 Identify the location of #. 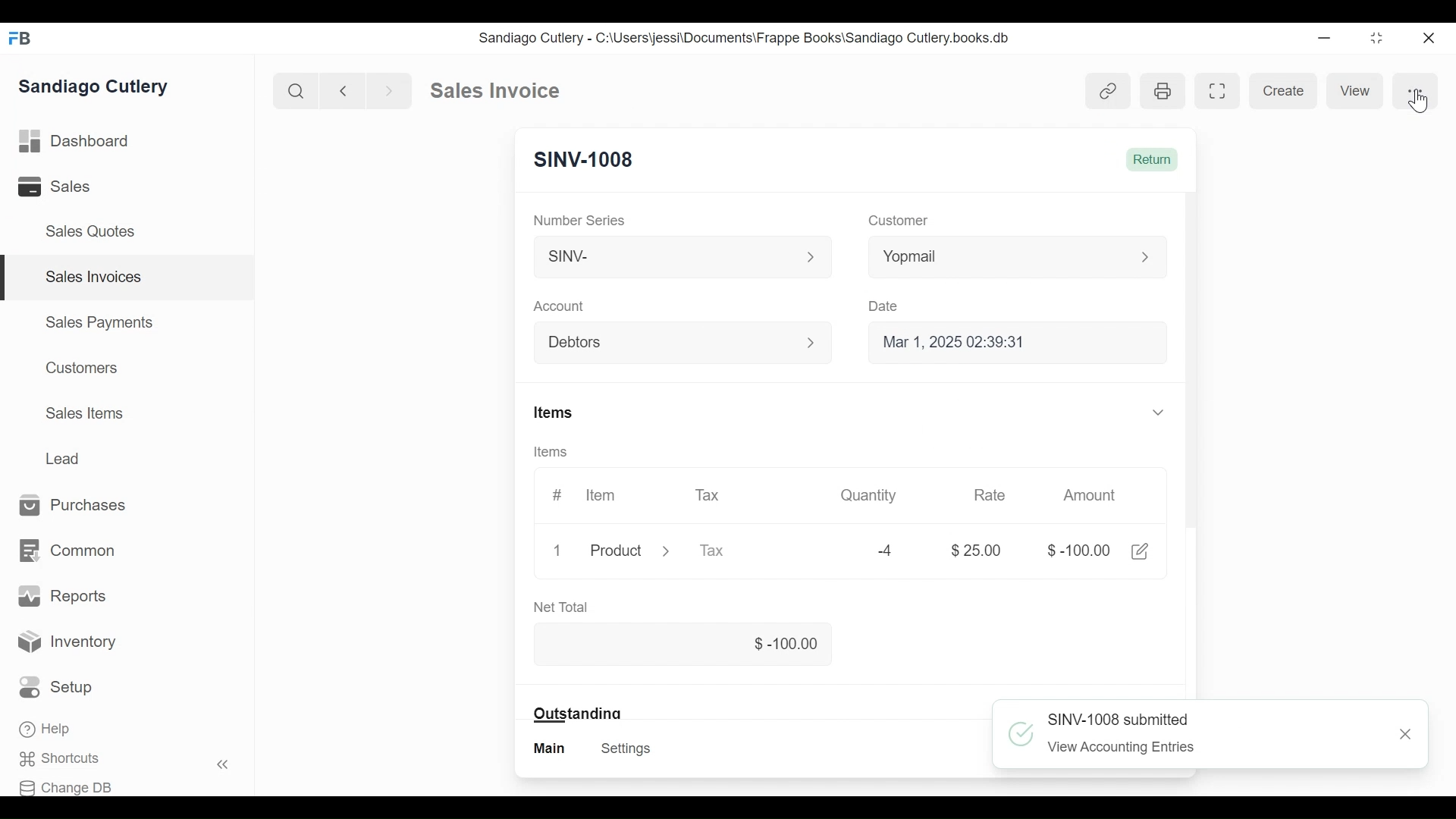
(557, 494).